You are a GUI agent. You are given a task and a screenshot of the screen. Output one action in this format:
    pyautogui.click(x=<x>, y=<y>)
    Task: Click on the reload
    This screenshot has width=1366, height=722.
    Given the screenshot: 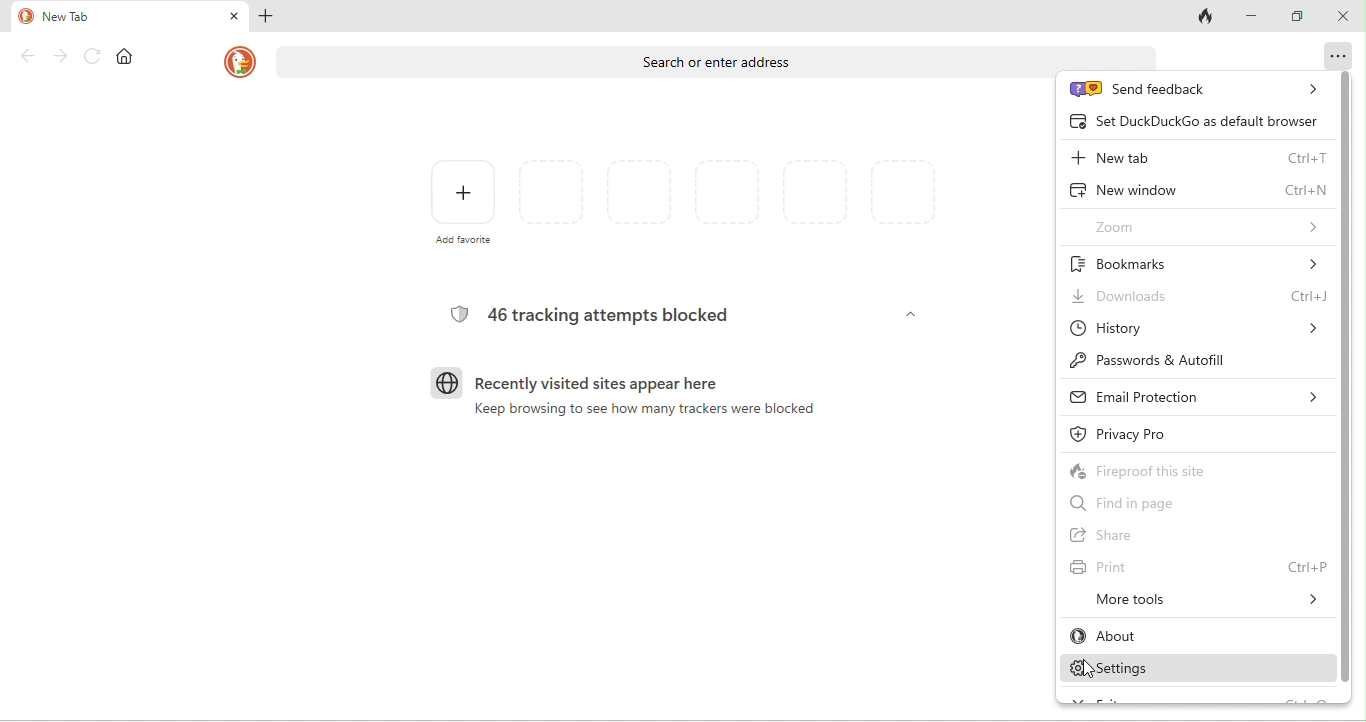 What is the action you would take?
    pyautogui.click(x=97, y=57)
    